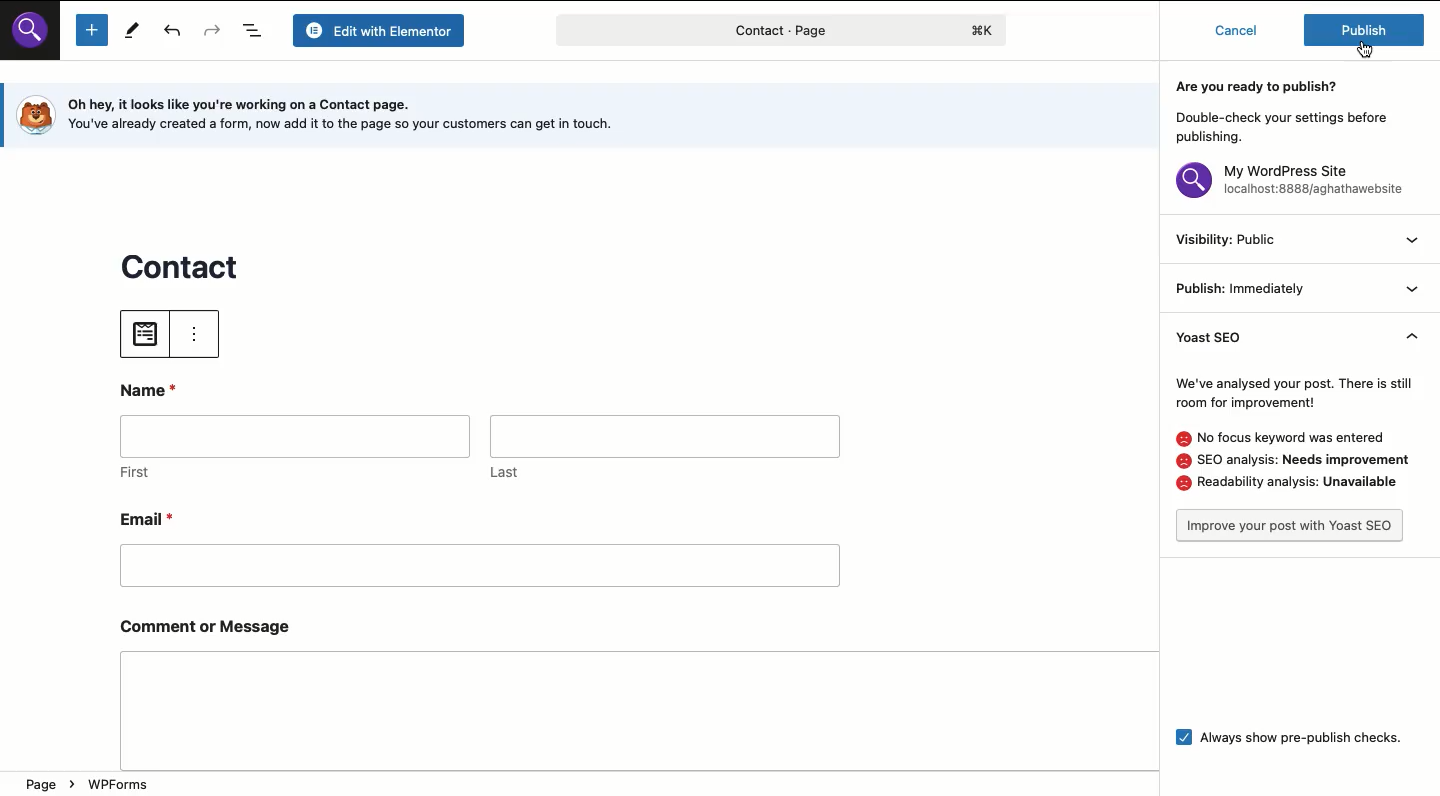 This screenshot has height=796, width=1440. Describe the element at coordinates (352, 114) in the screenshot. I see `Oh hey, it looks like you're working on a Contact page.
[o} You've already created a form, now add it to the page so your customers can get in touch.` at that location.